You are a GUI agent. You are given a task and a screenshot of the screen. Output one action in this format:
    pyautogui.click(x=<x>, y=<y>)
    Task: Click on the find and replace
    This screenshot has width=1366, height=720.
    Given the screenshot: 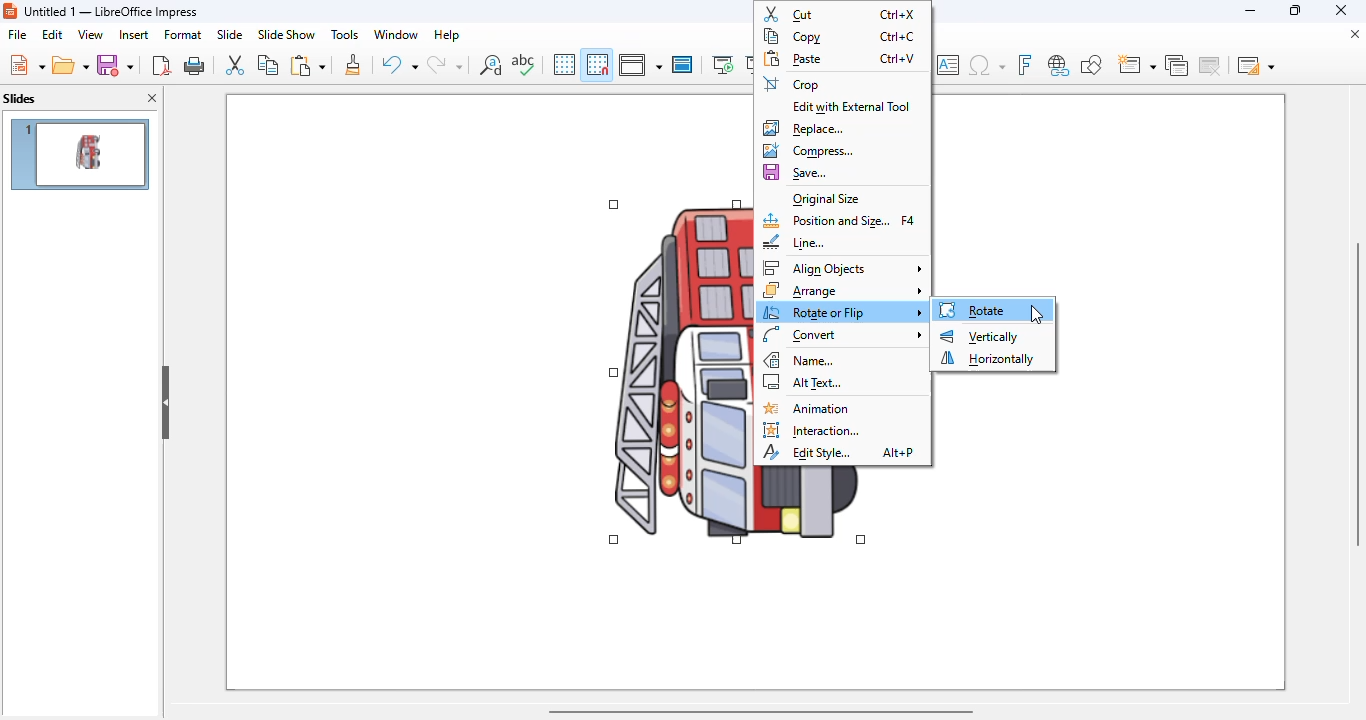 What is the action you would take?
    pyautogui.click(x=490, y=64)
    